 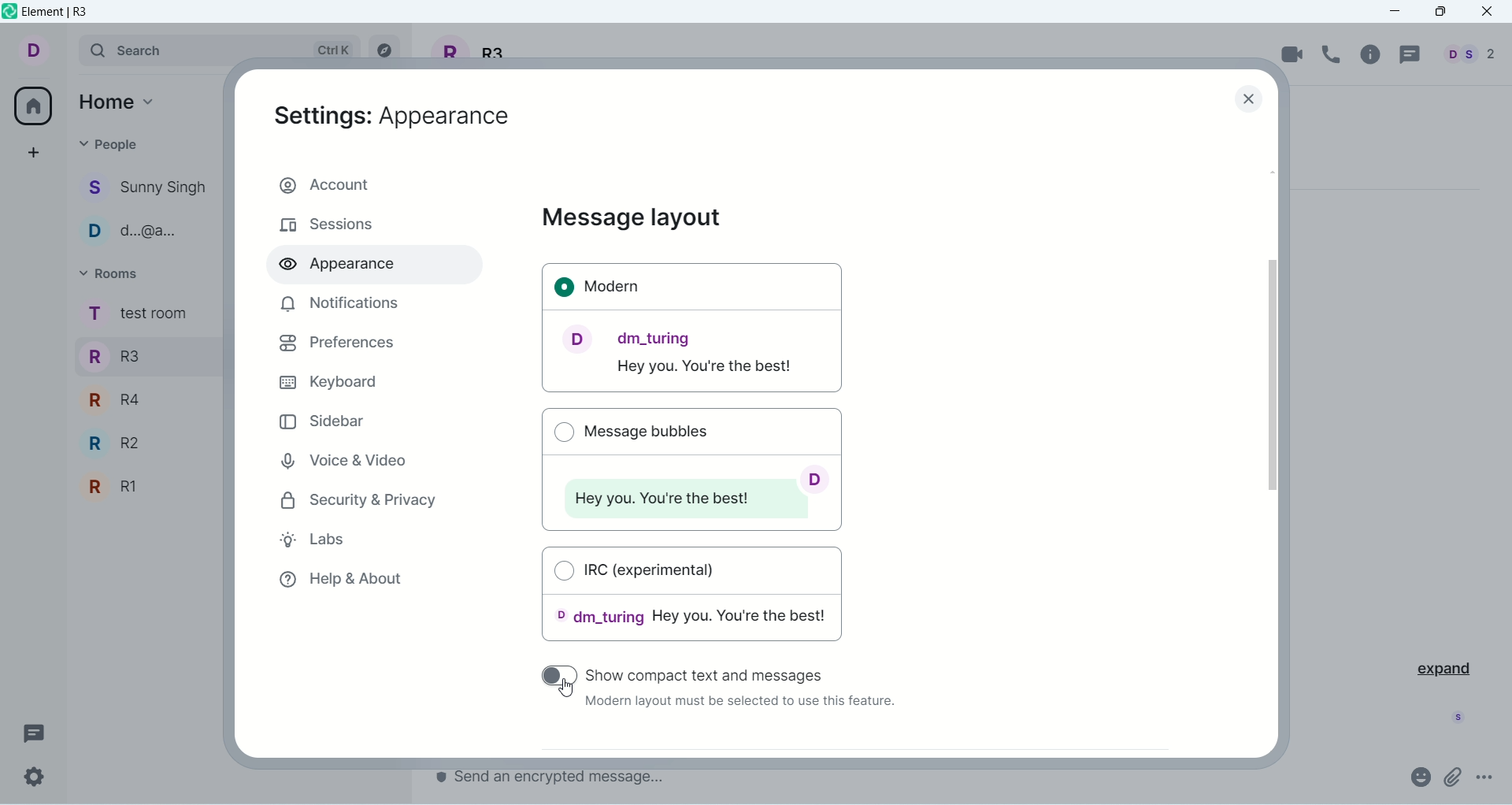 I want to click on cursor, so click(x=557, y=676).